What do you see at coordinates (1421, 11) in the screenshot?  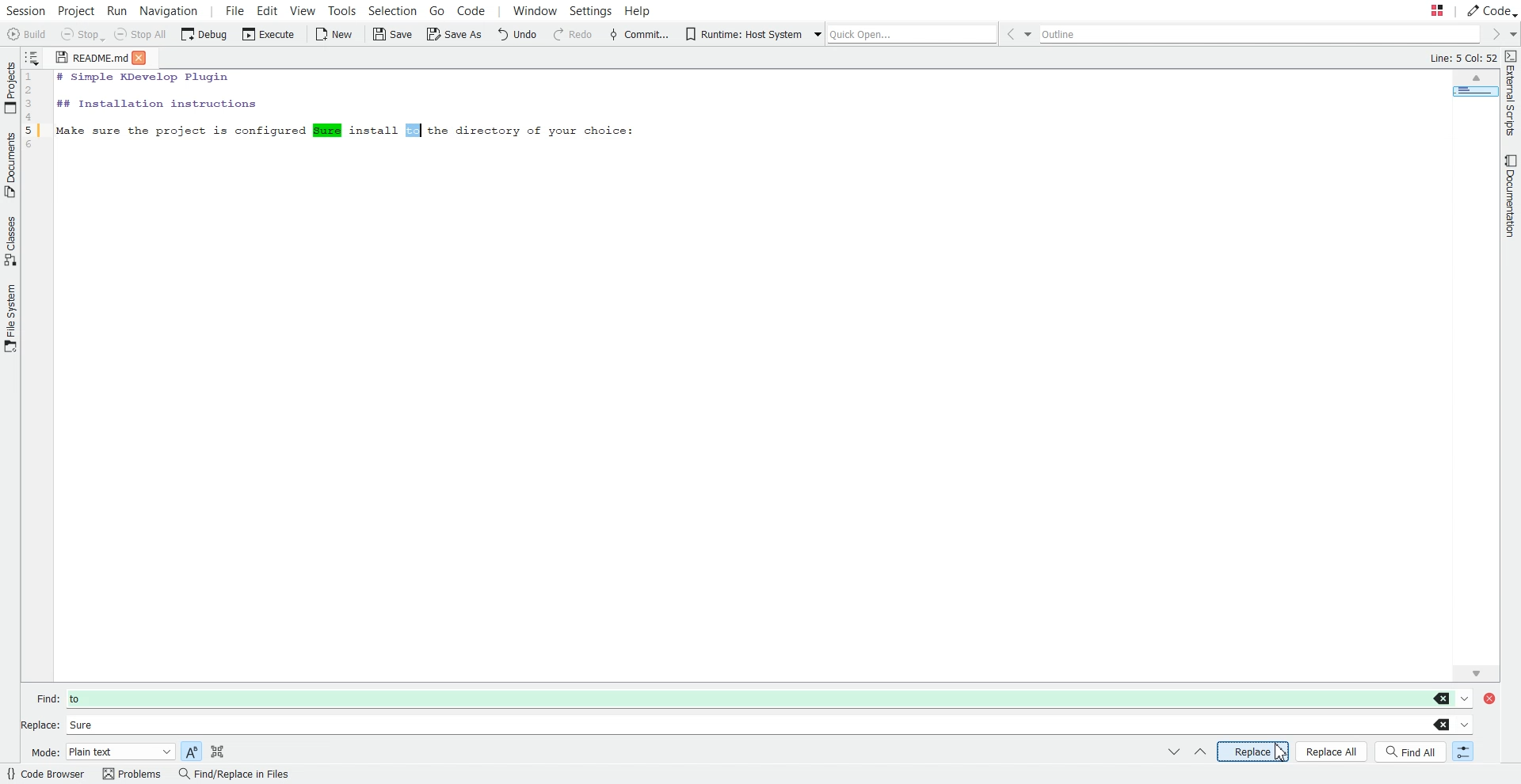 I see `Stash` at bounding box center [1421, 11].